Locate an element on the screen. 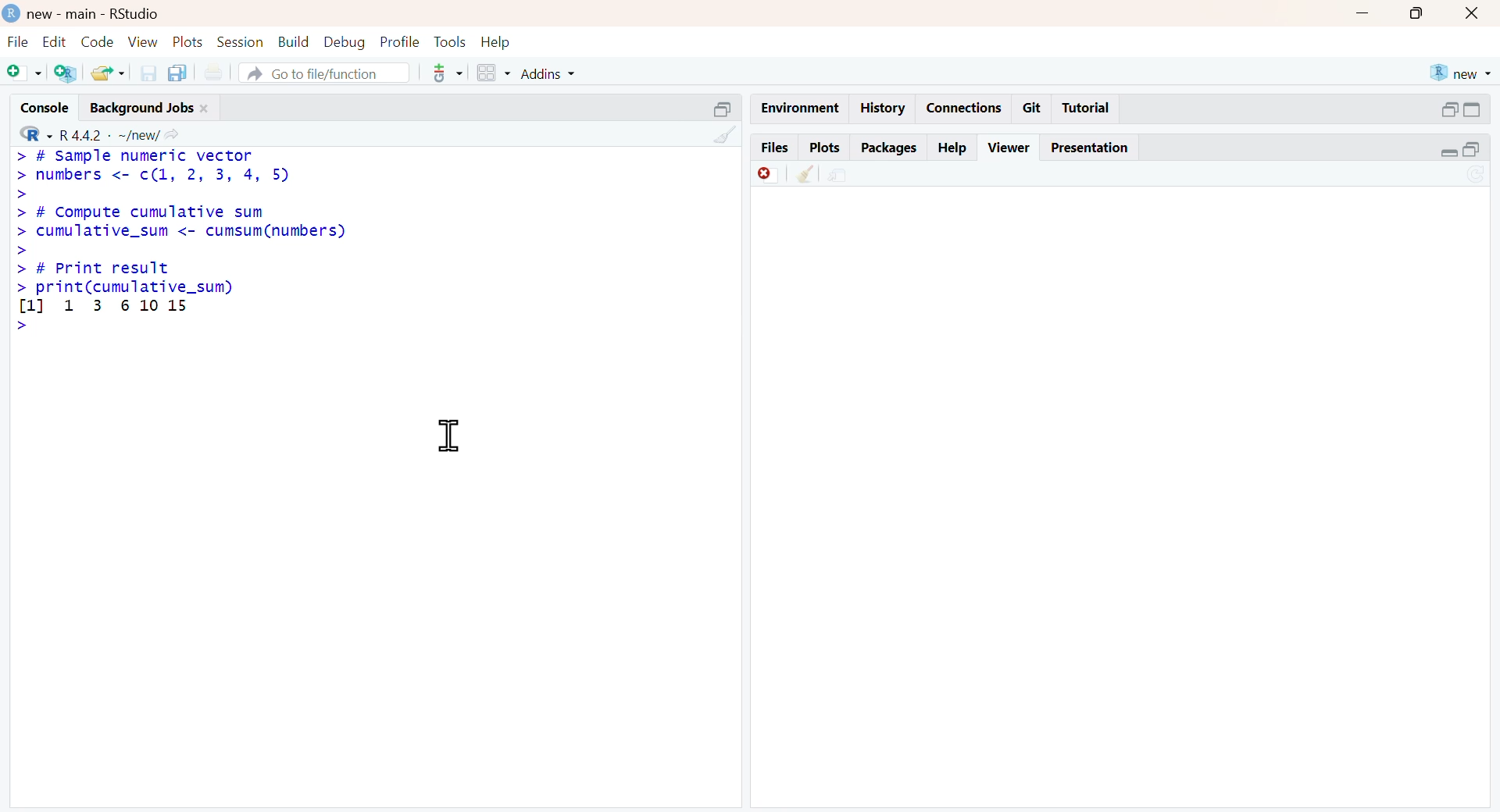  expand/collapse is located at coordinates (1474, 110).